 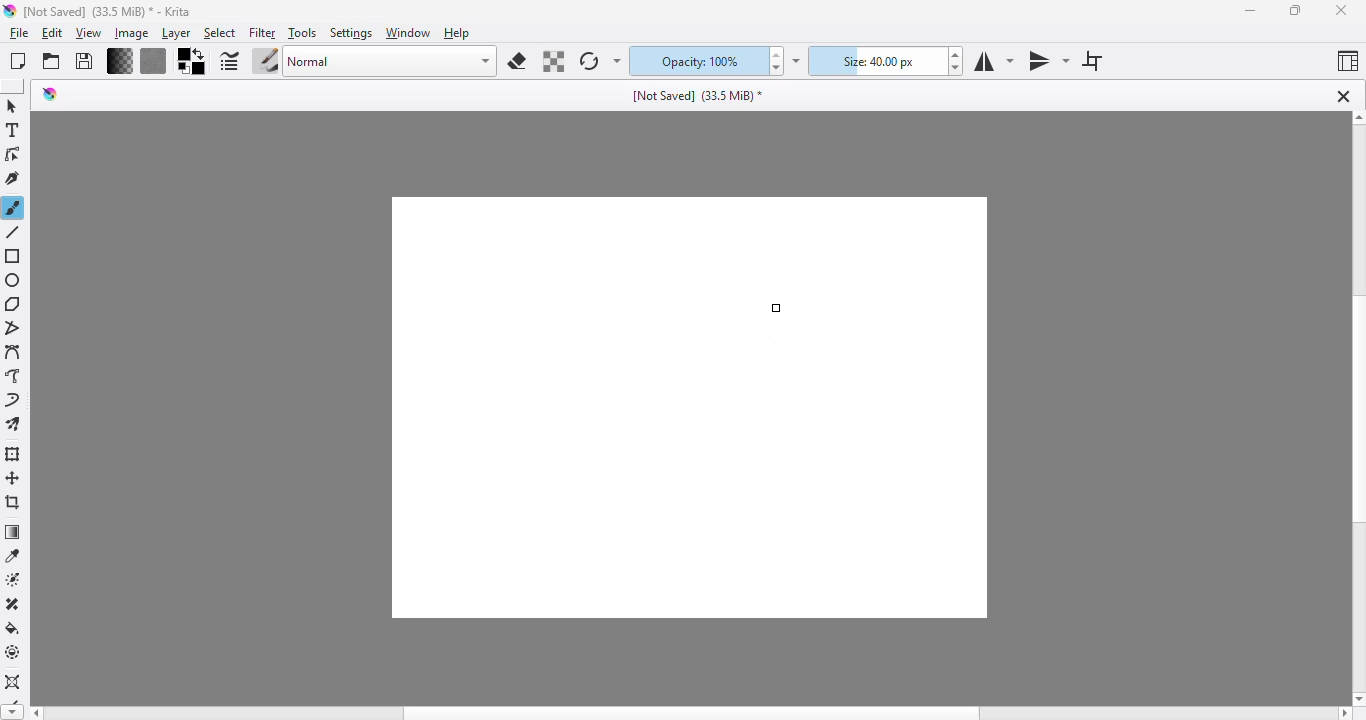 What do you see at coordinates (176, 33) in the screenshot?
I see `layer` at bounding box center [176, 33].